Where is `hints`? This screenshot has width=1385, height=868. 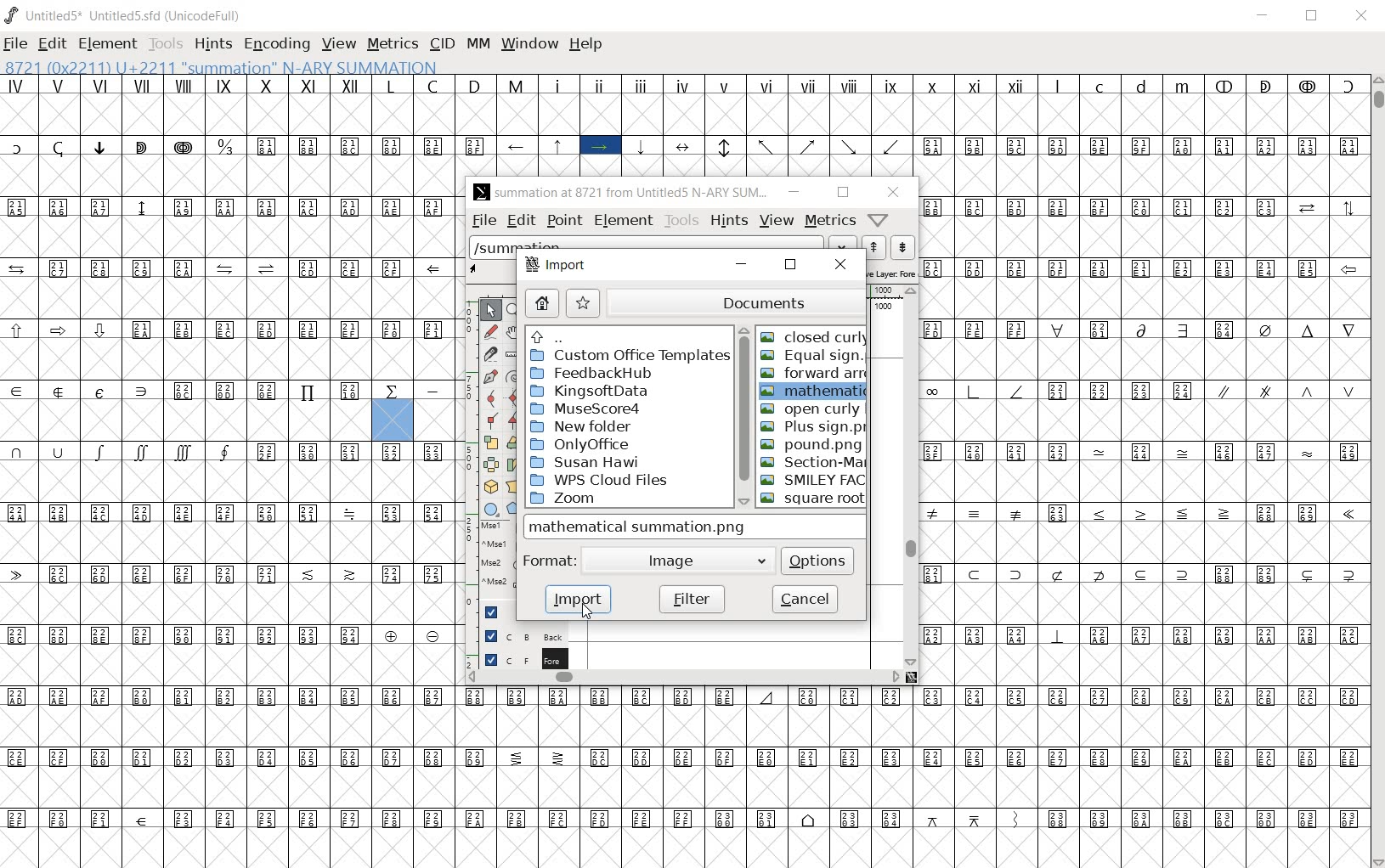 hints is located at coordinates (728, 220).